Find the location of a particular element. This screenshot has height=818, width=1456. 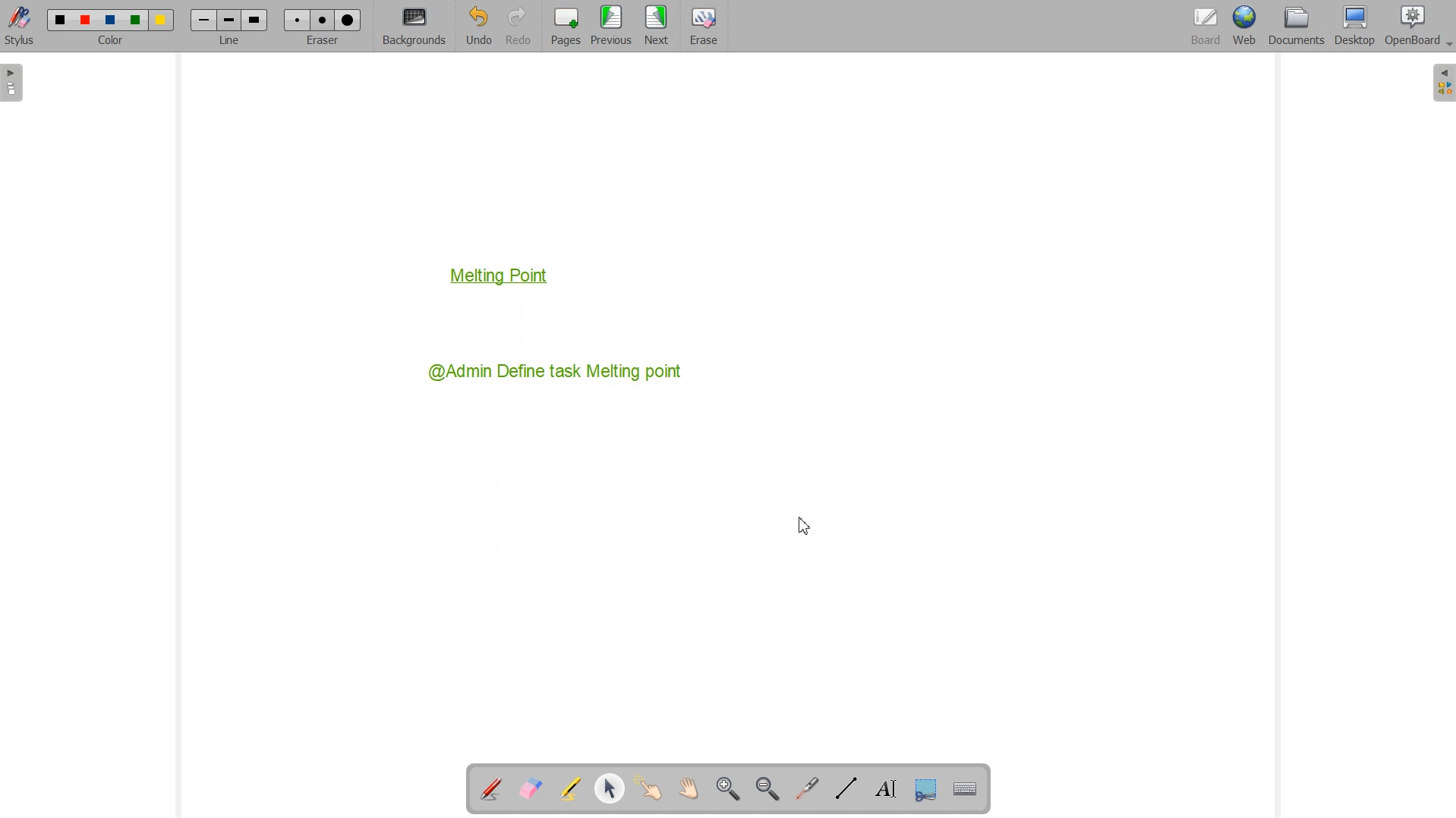

Next is located at coordinates (657, 27).